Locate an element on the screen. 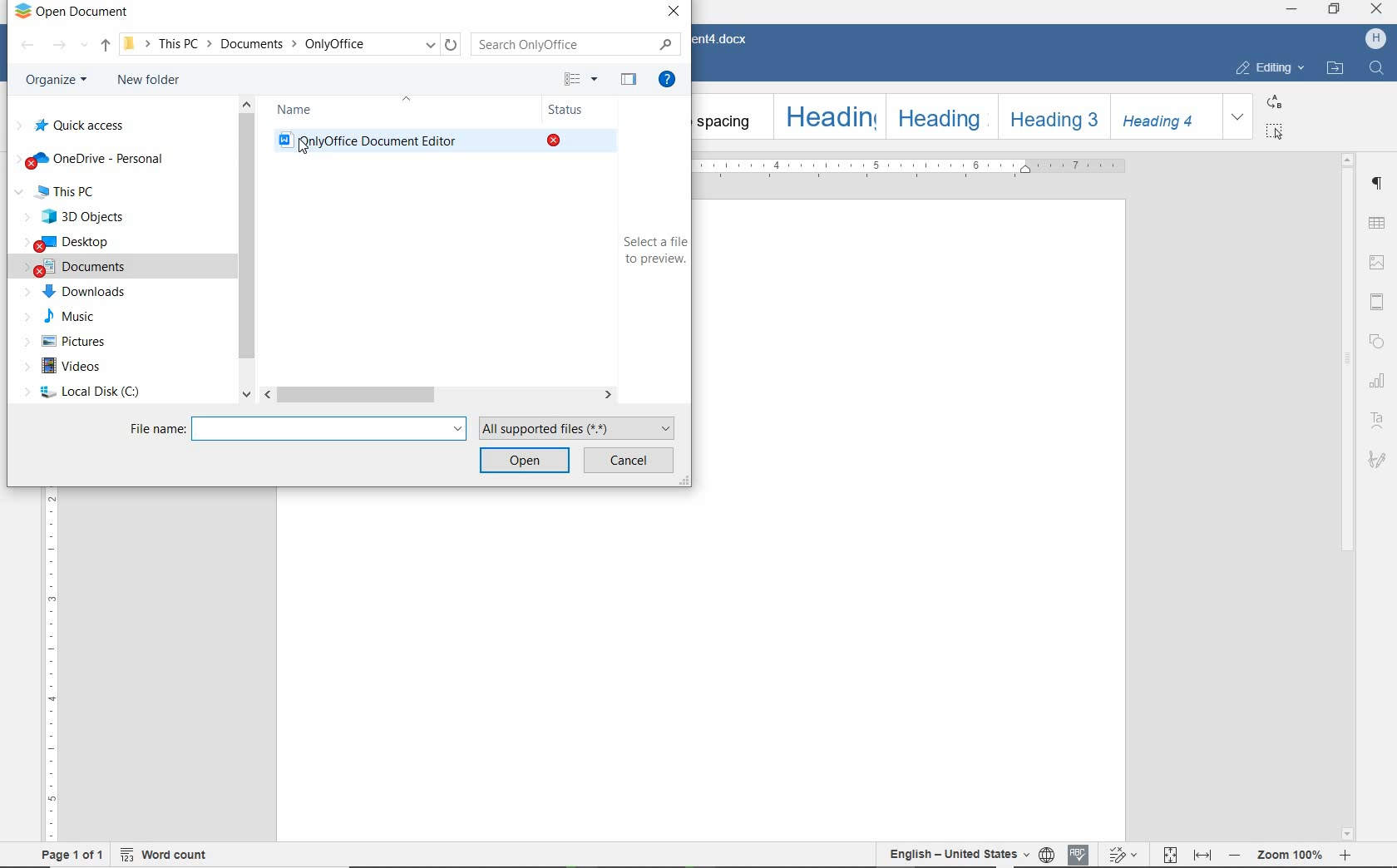 The image size is (1397, 868). ruler is located at coordinates (51, 668).